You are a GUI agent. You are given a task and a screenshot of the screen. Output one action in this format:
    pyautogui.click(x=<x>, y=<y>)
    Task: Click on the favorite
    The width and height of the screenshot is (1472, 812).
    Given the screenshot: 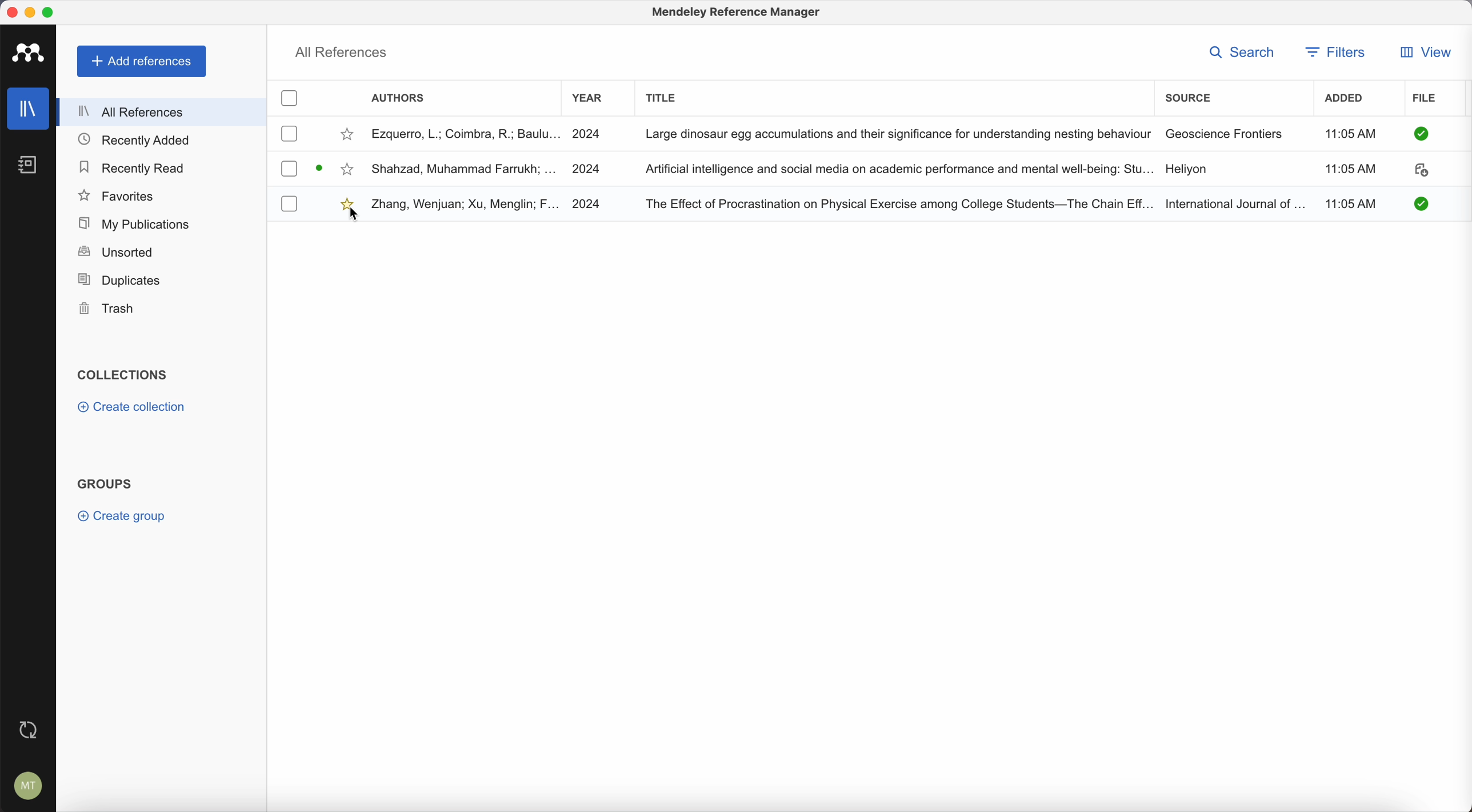 What is the action you would take?
    pyautogui.click(x=349, y=134)
    